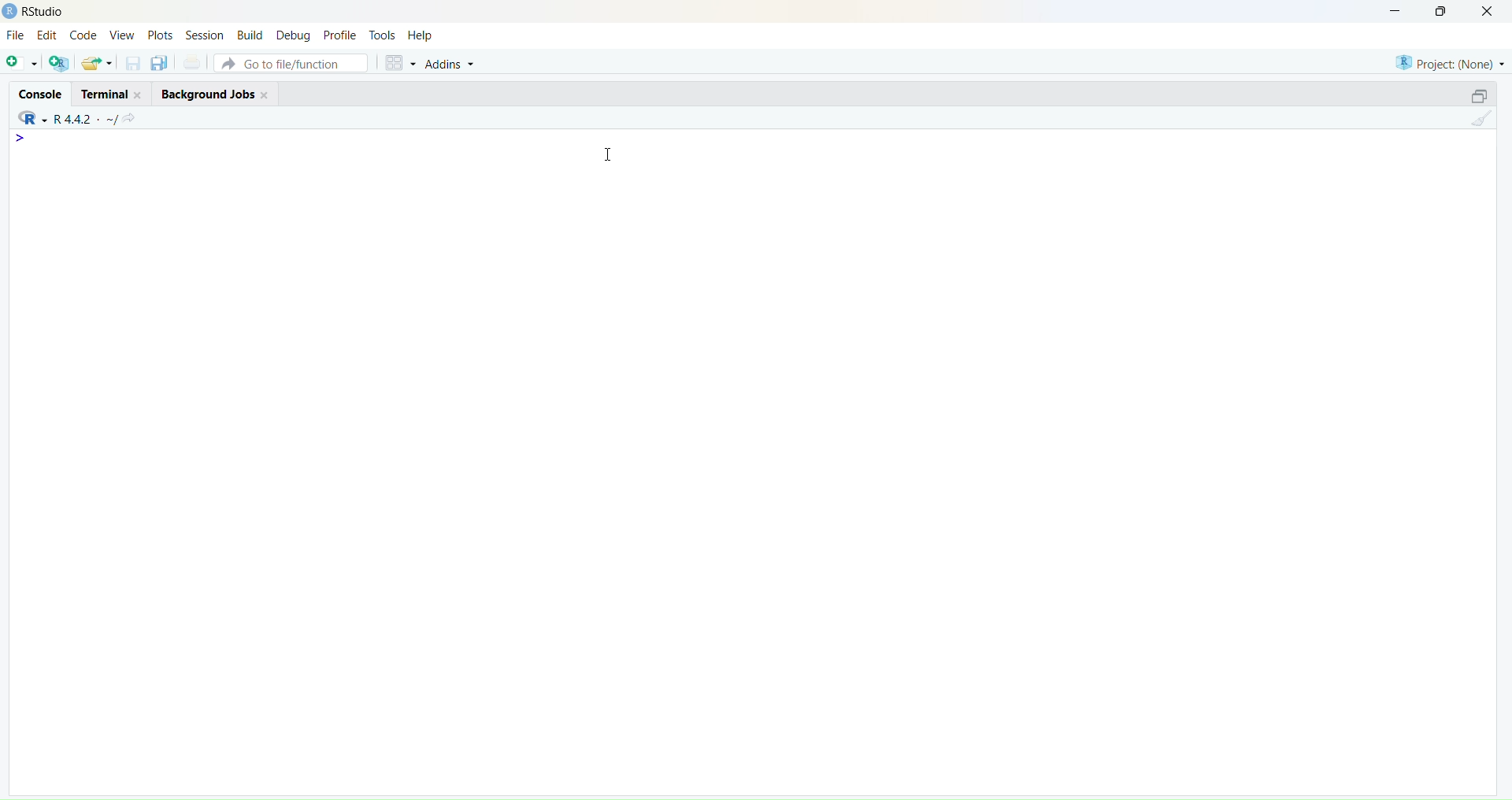 The height and width of the screenshot is (800, 1512). Describe the element at coordinates (87, 117) in the screenshot. I see `- R442 - ~/` at that location.